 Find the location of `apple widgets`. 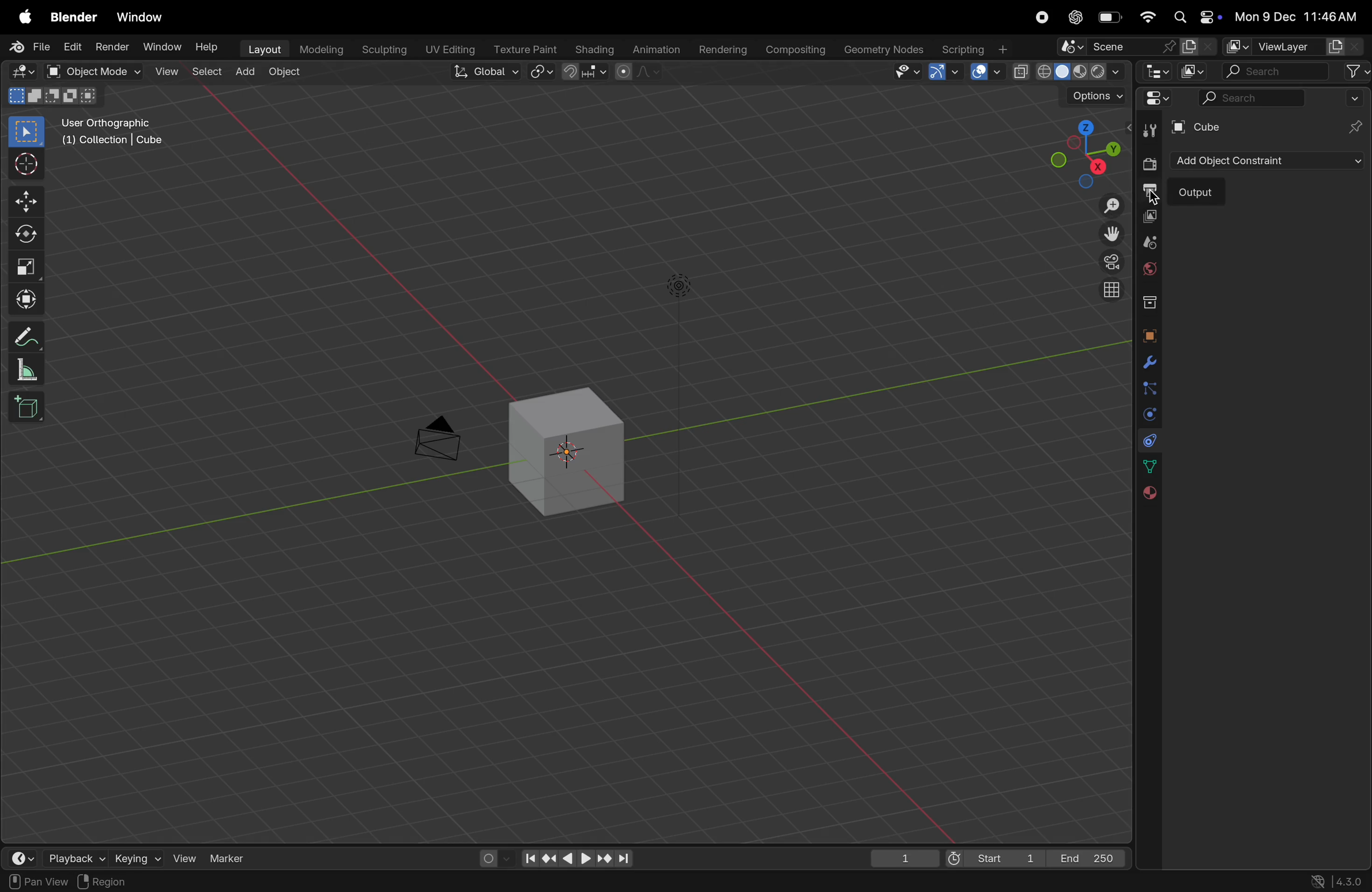

apple widgets is located at coordinates (1197, 16).